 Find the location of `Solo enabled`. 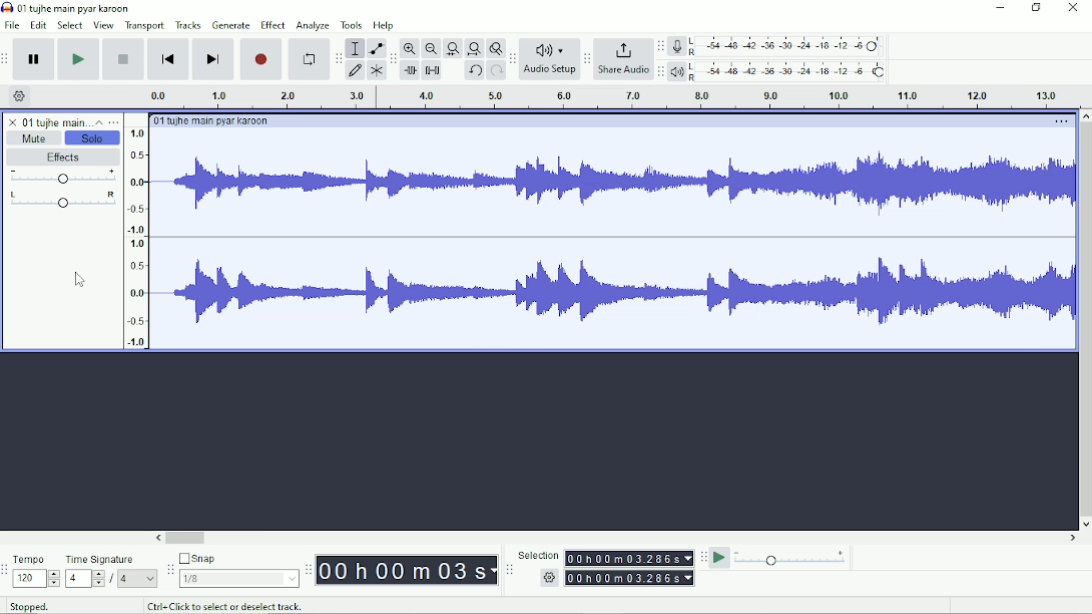

Solo enabled is located at coordinates (92, 138).